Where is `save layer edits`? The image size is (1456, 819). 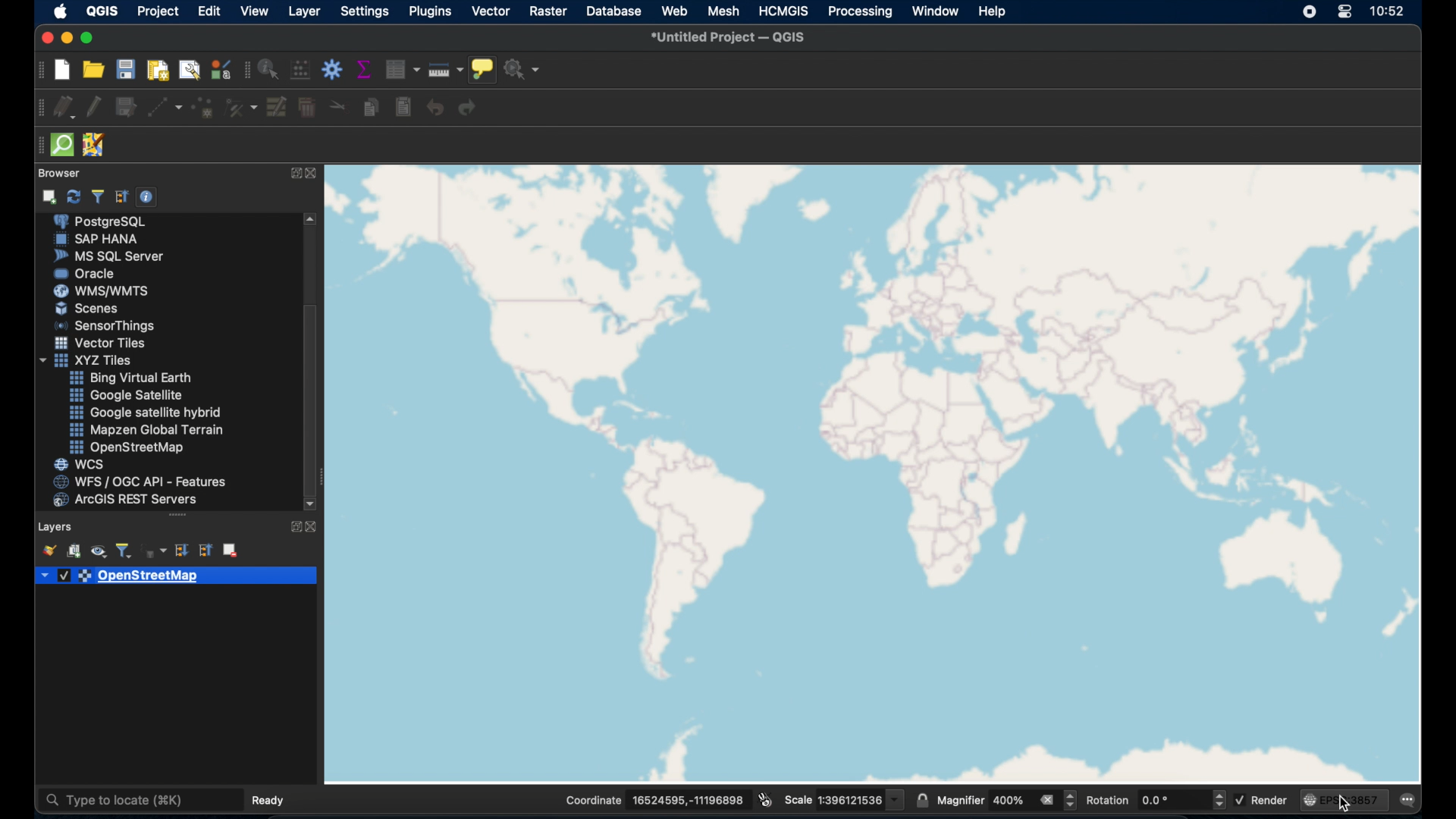 save layer edits is located at coordinates (127, 110).